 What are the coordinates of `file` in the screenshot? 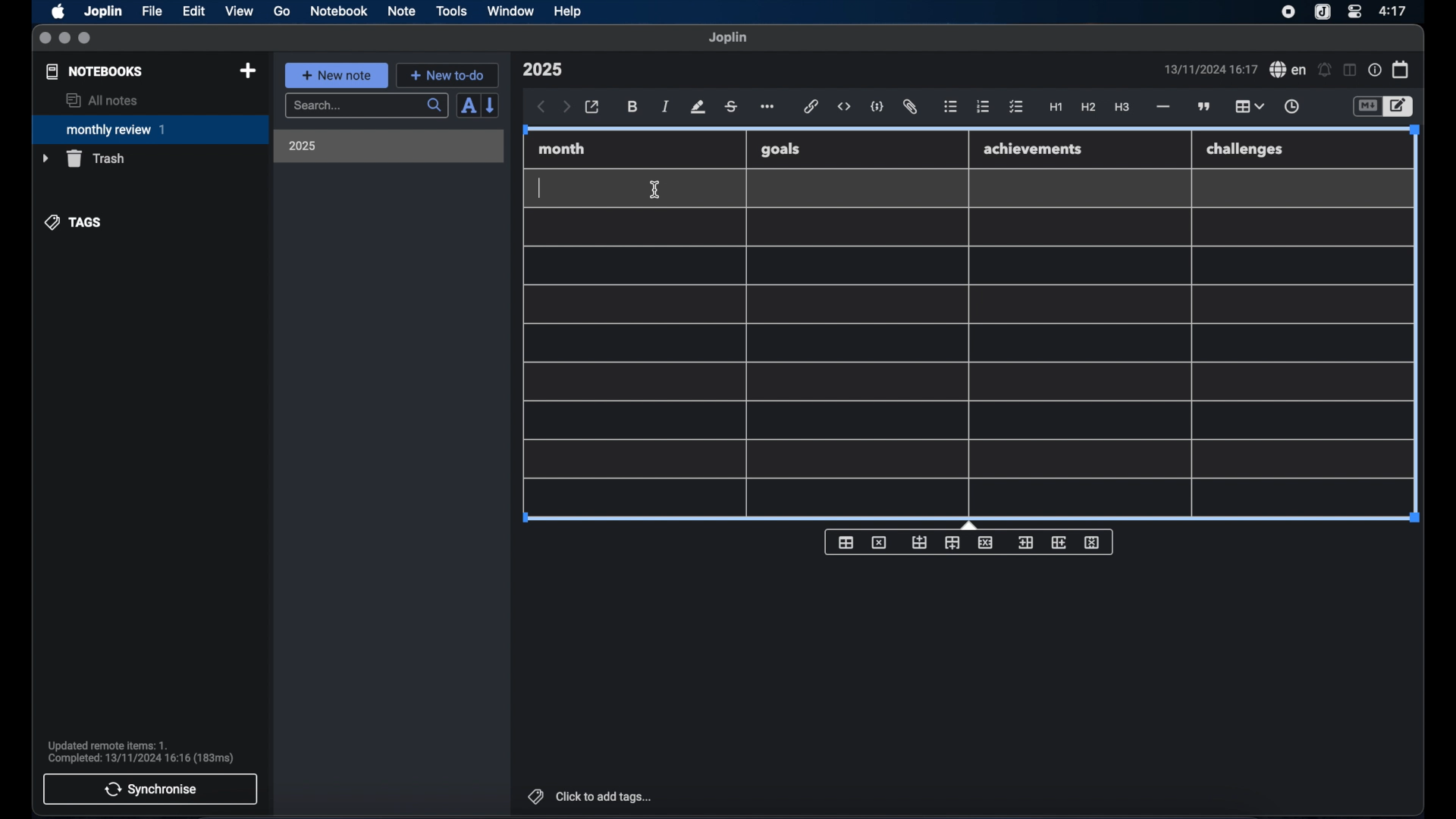 It's located at (152, 11).